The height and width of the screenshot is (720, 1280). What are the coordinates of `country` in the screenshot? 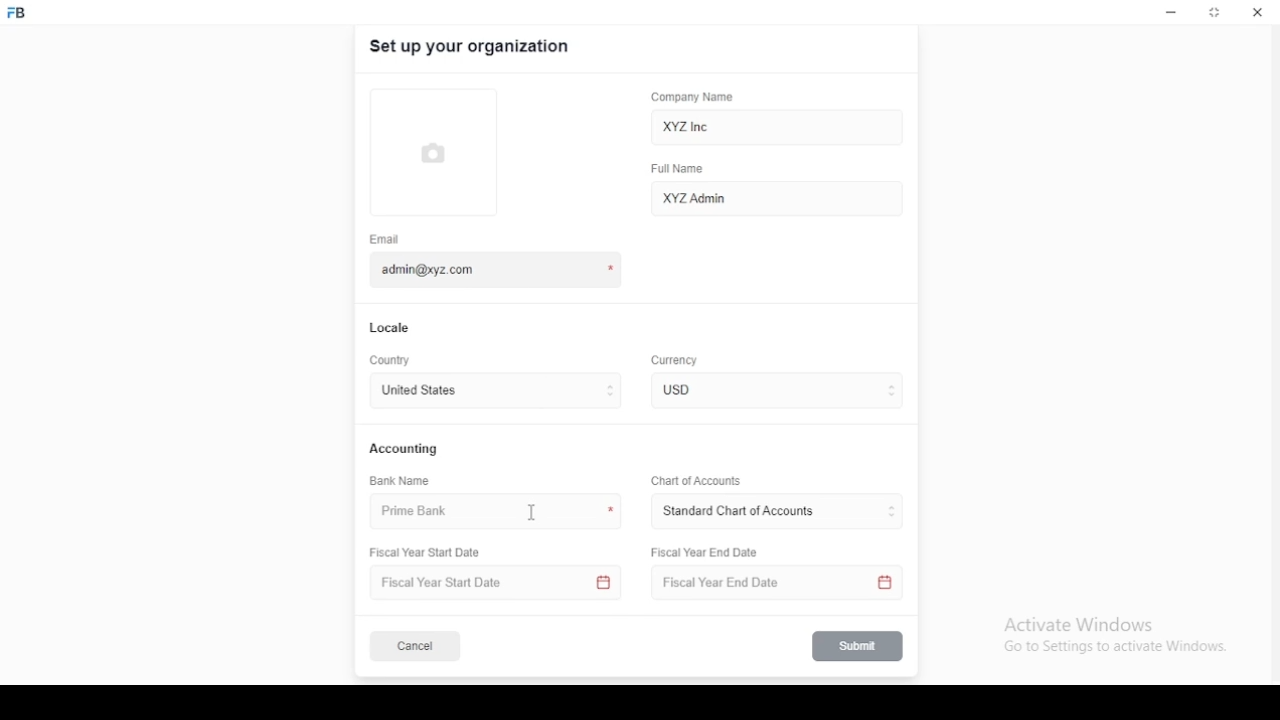 It's located at (392, 361).